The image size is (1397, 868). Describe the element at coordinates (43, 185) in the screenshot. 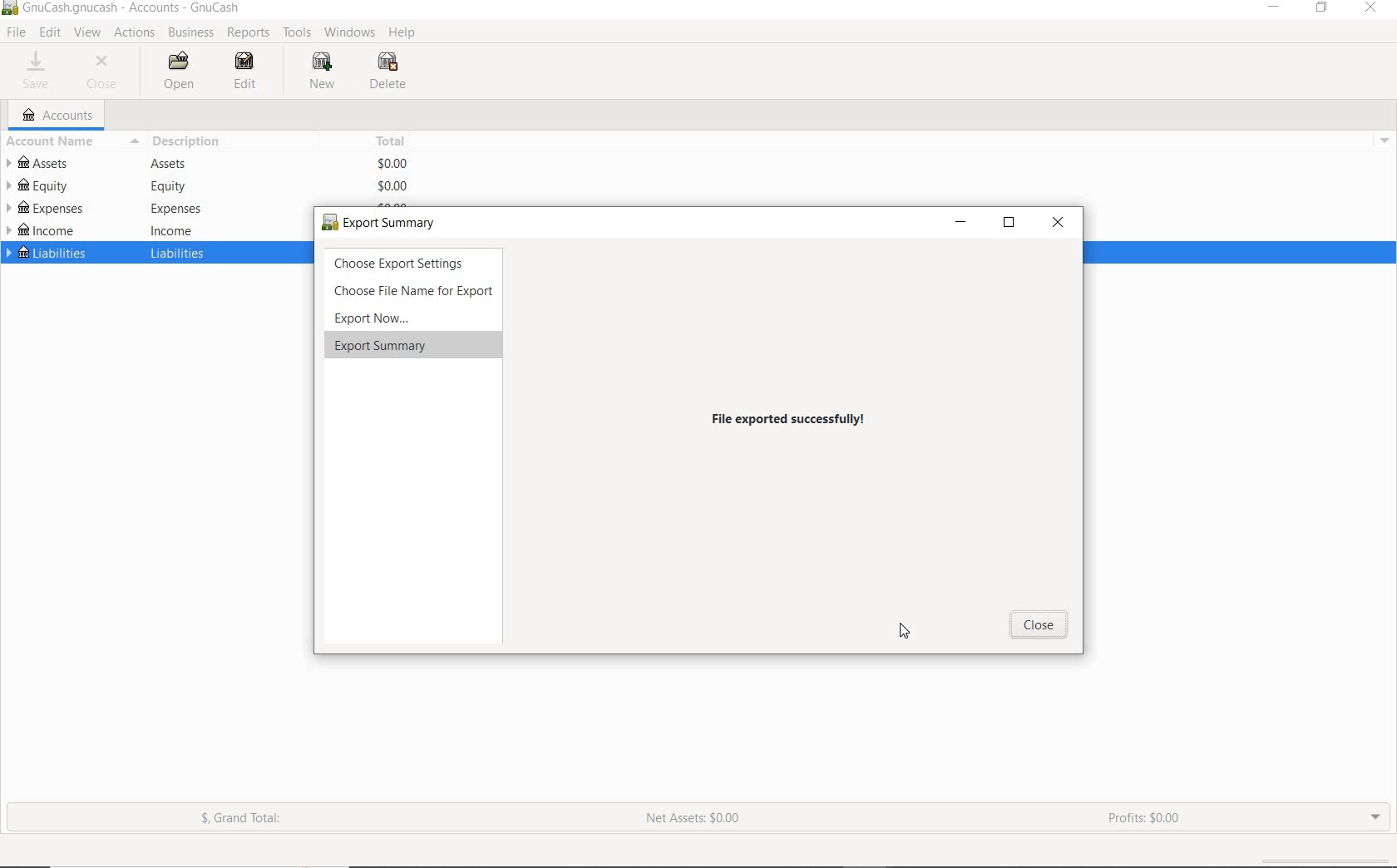

I see `EQUITY` at that location.